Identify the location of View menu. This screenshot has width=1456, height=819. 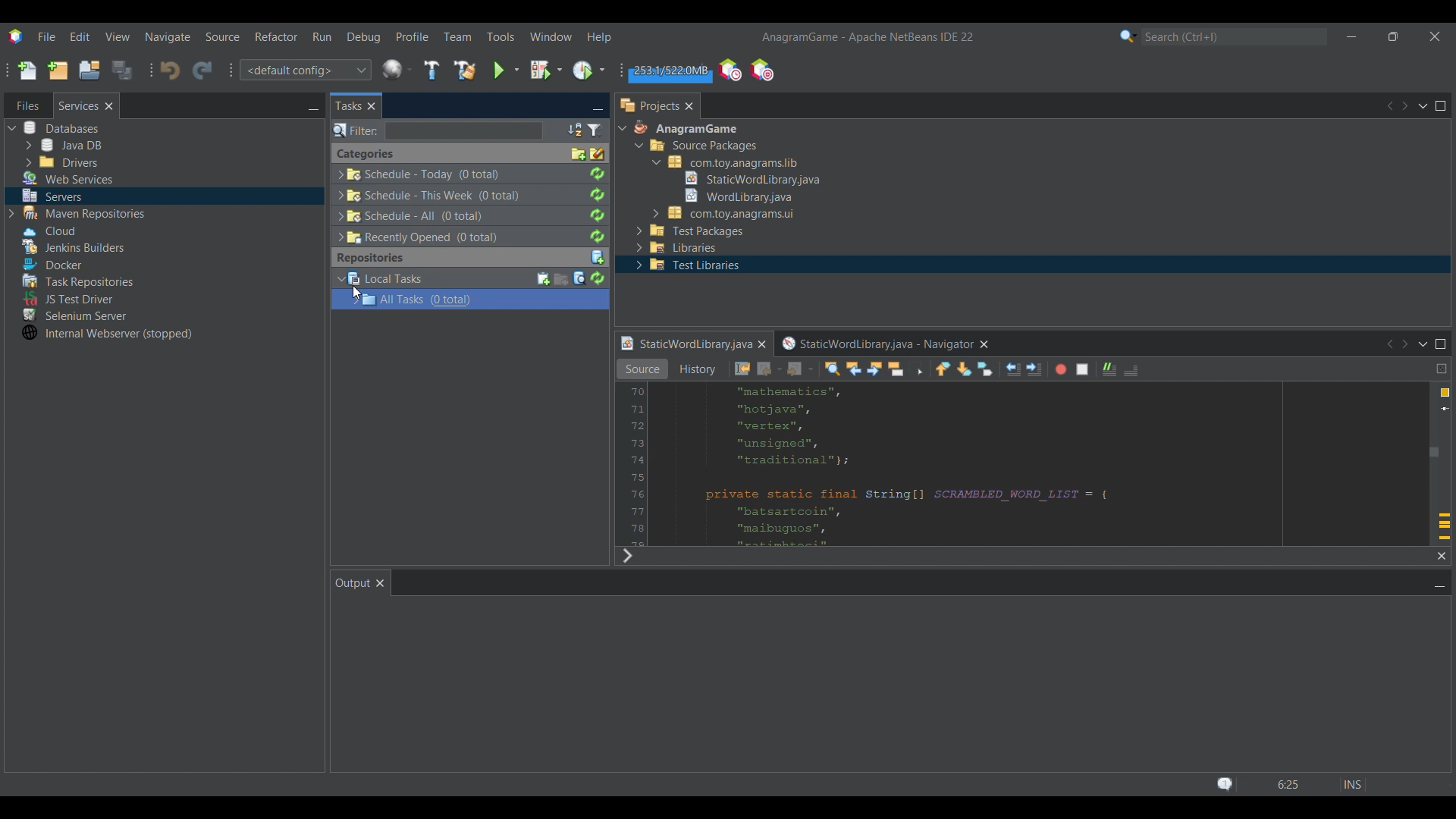
(118, 36).